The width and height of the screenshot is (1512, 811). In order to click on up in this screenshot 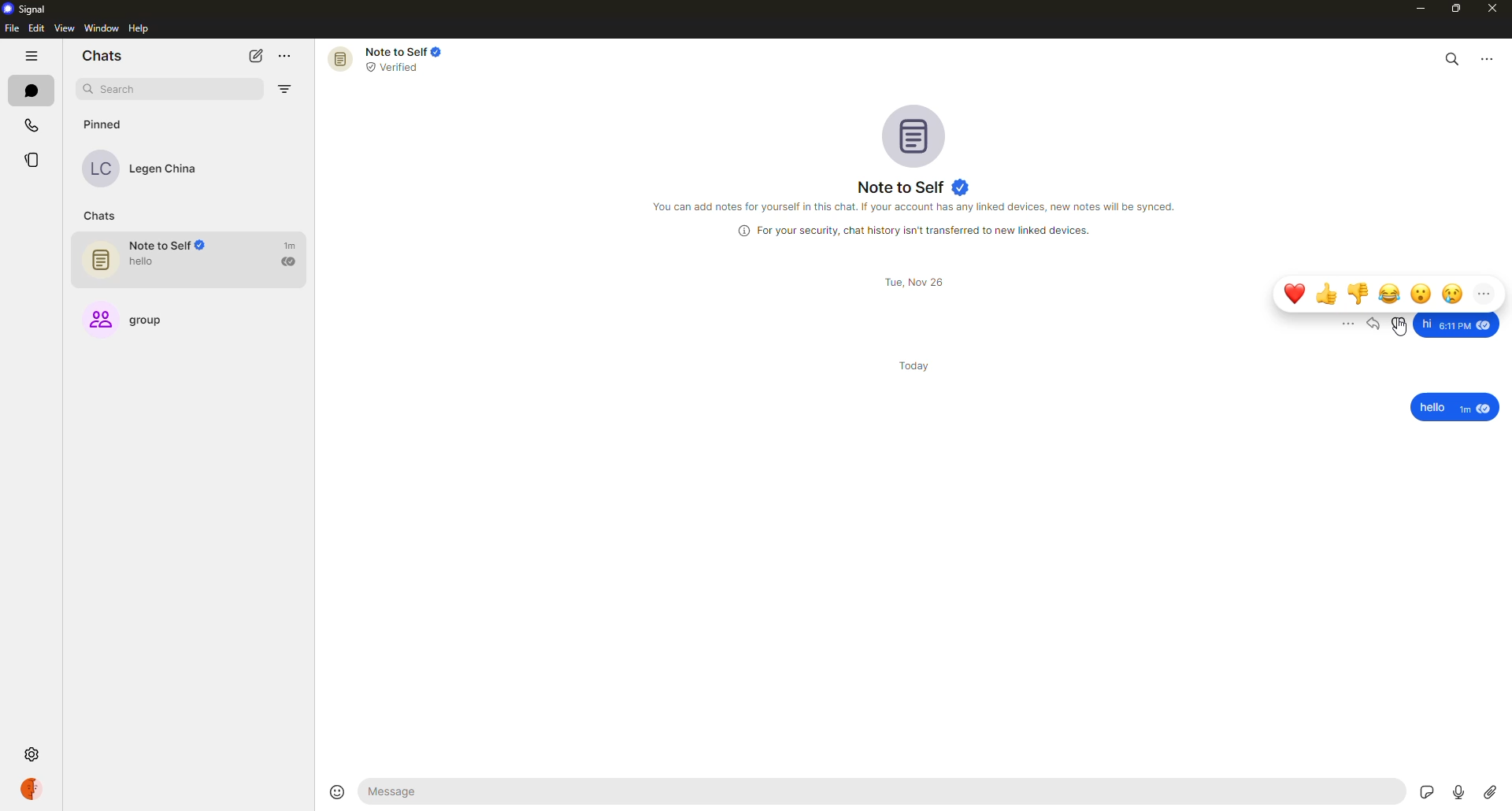, I will do `click(1328, 294)`.